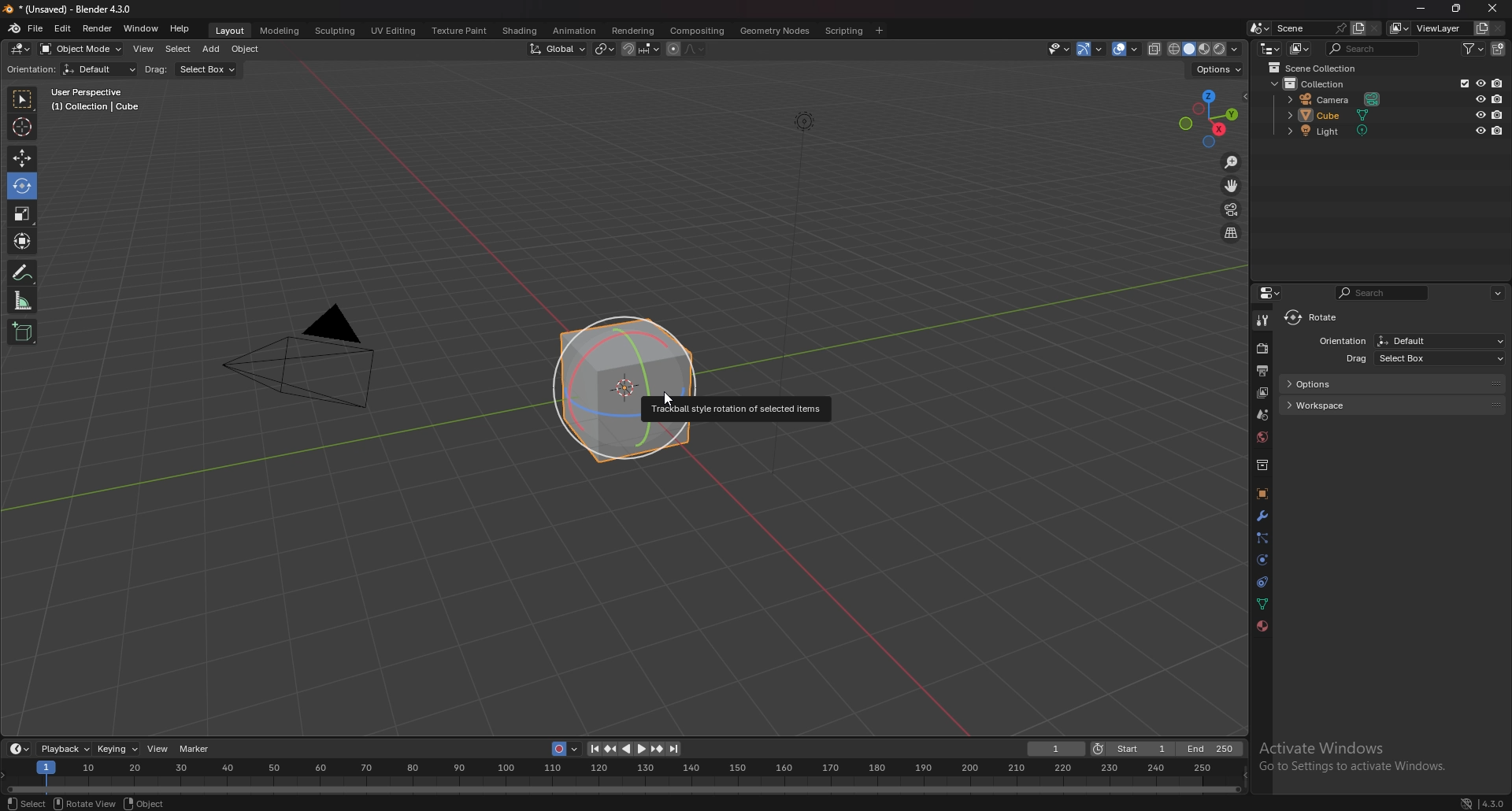  I want to click on add view layer, so click(1482, 28).